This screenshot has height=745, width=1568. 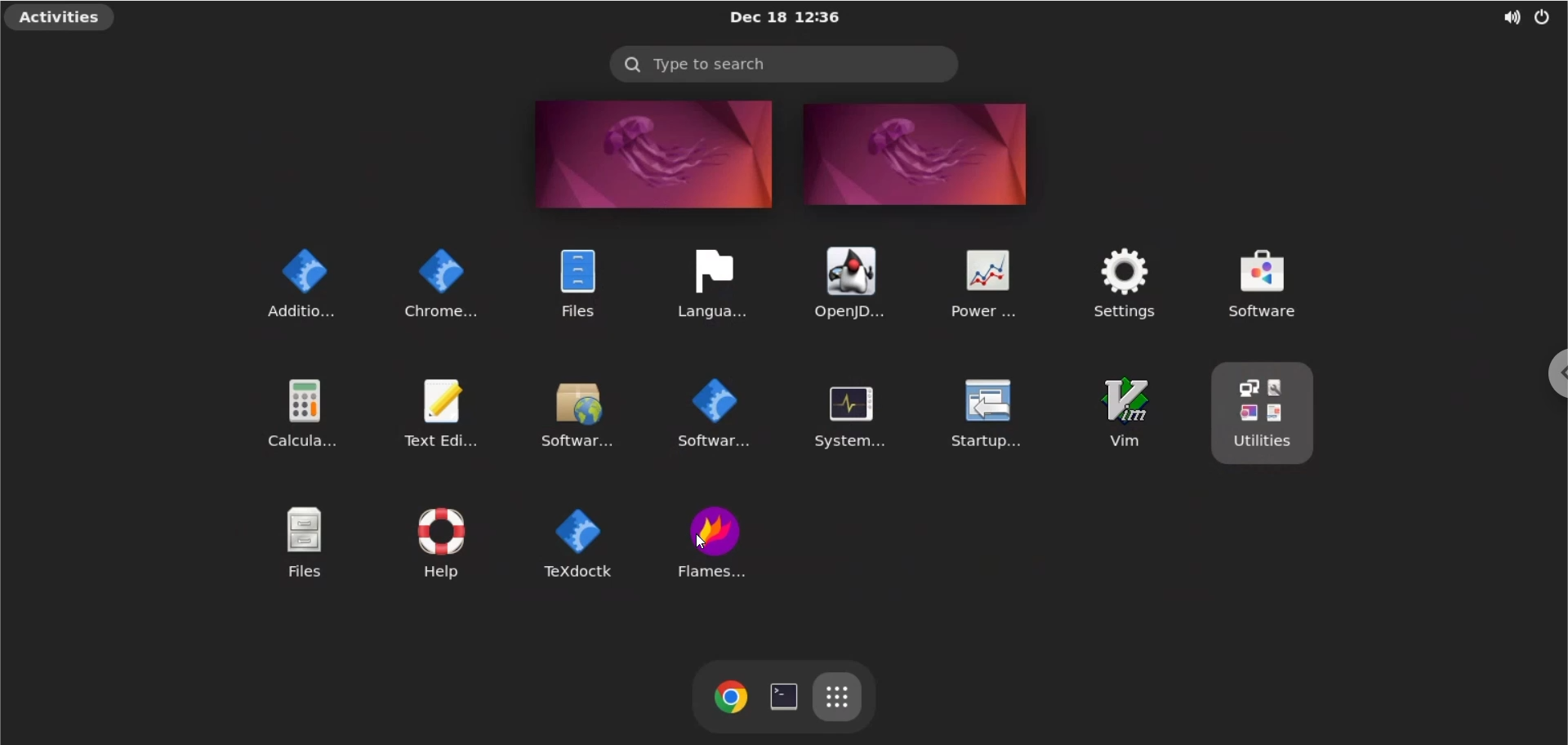 What do you see at coordinates (646, 154) in the screenshot?
I see `Activity screen one` at bounding box center [646, 154].